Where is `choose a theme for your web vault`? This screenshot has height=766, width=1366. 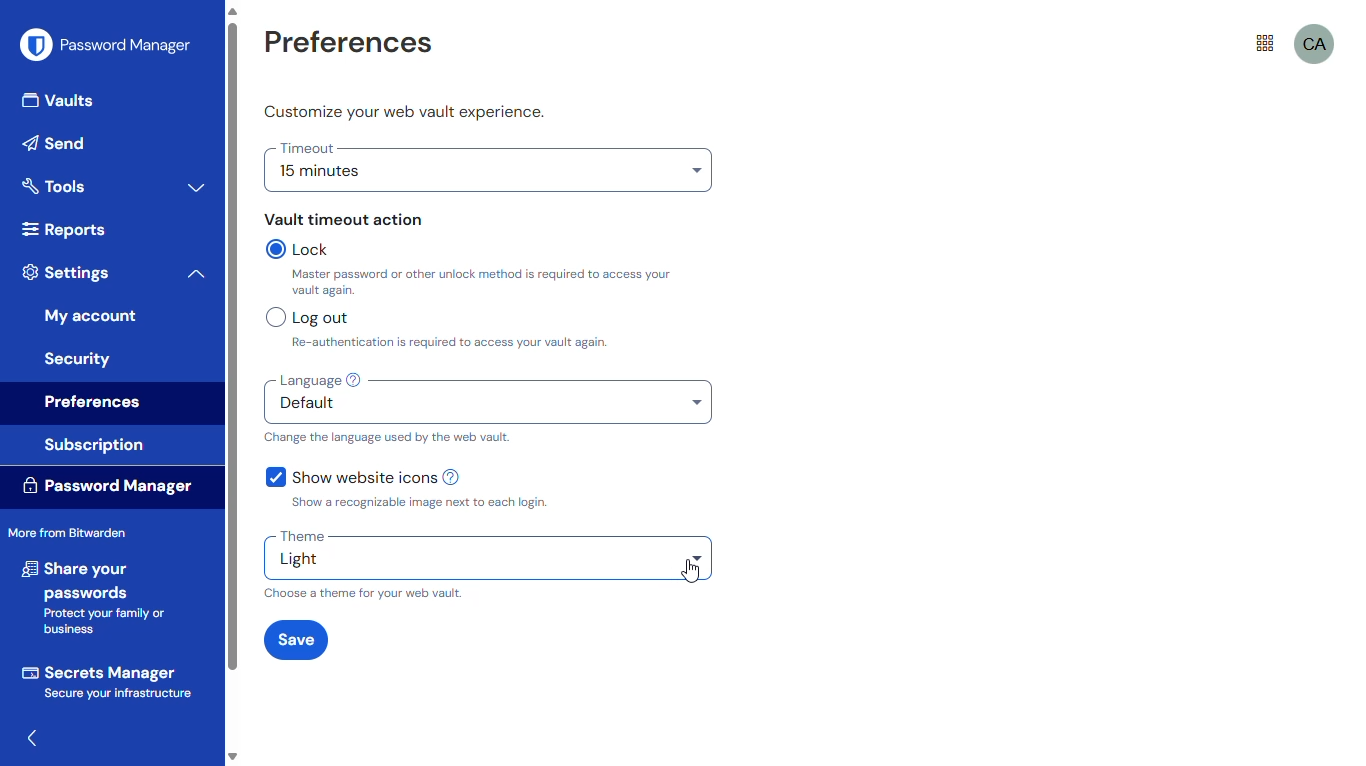 choose a theme for your web vault is located at coordinates (365, 593).